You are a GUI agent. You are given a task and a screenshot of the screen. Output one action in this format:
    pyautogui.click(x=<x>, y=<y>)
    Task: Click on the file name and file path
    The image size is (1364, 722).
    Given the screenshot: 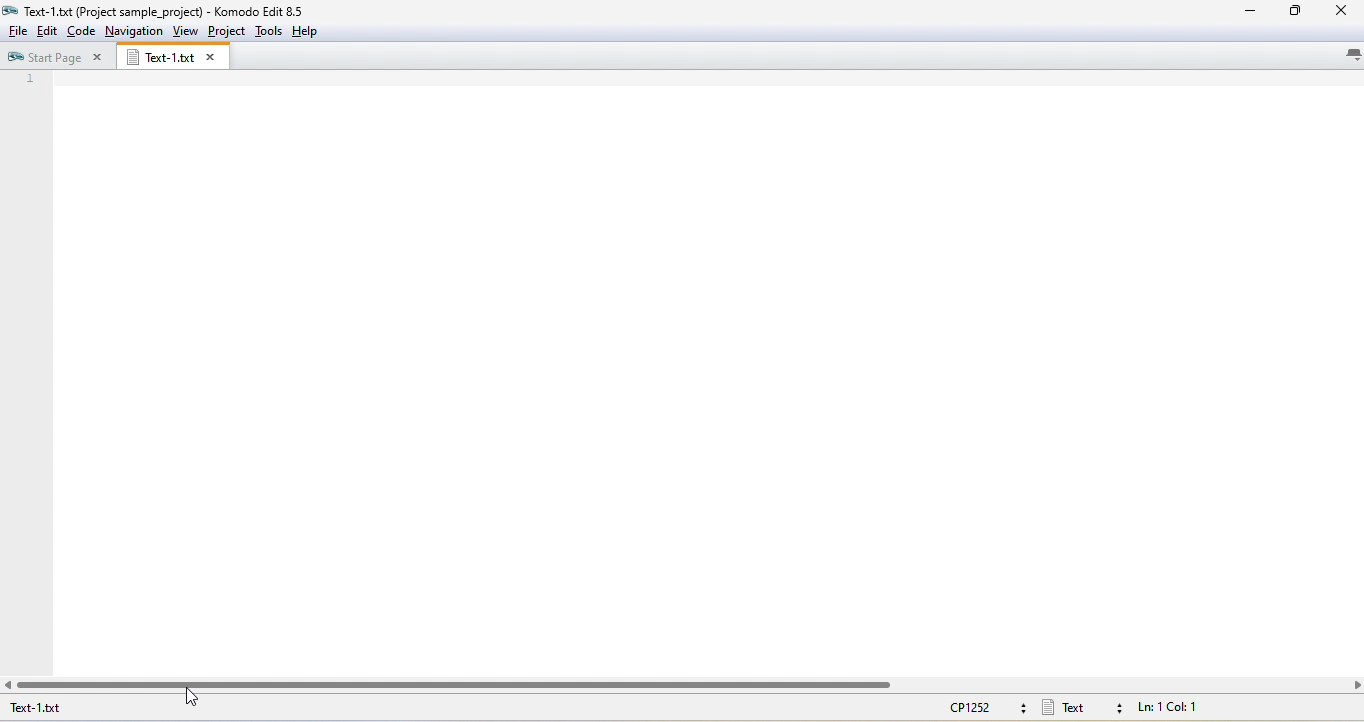 What is the action you would take?
    pyautogui.click(x=113, y=11)
    